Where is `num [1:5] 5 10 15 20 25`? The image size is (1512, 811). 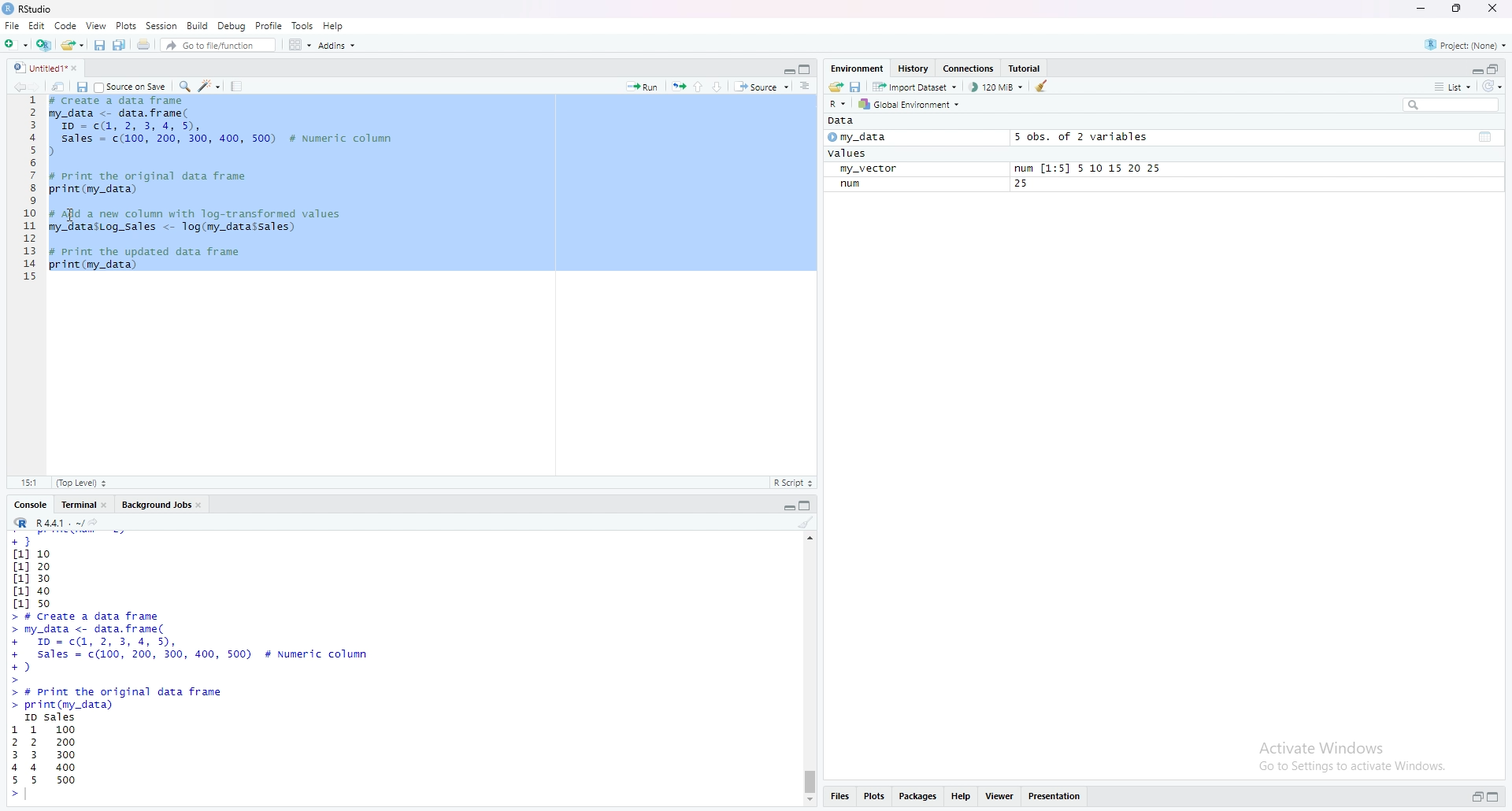 num [1:5] 5 10 15 20 25 is located at coordinates (1085, 168).